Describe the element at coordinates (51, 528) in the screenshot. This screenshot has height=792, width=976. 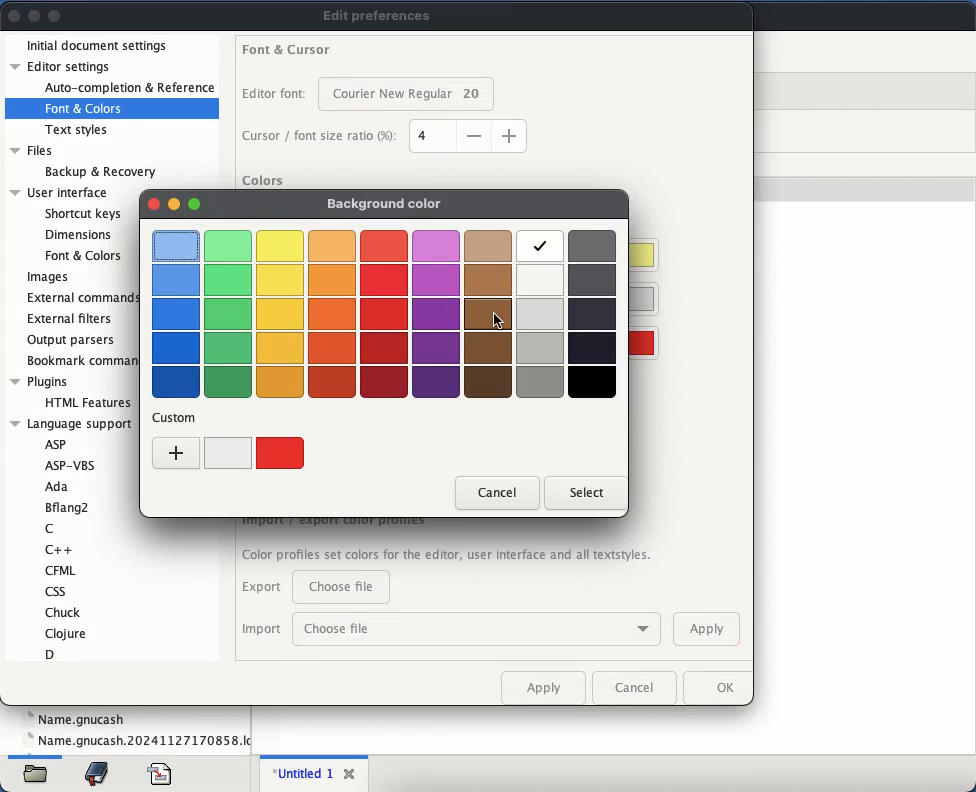
I see `C` at that location.